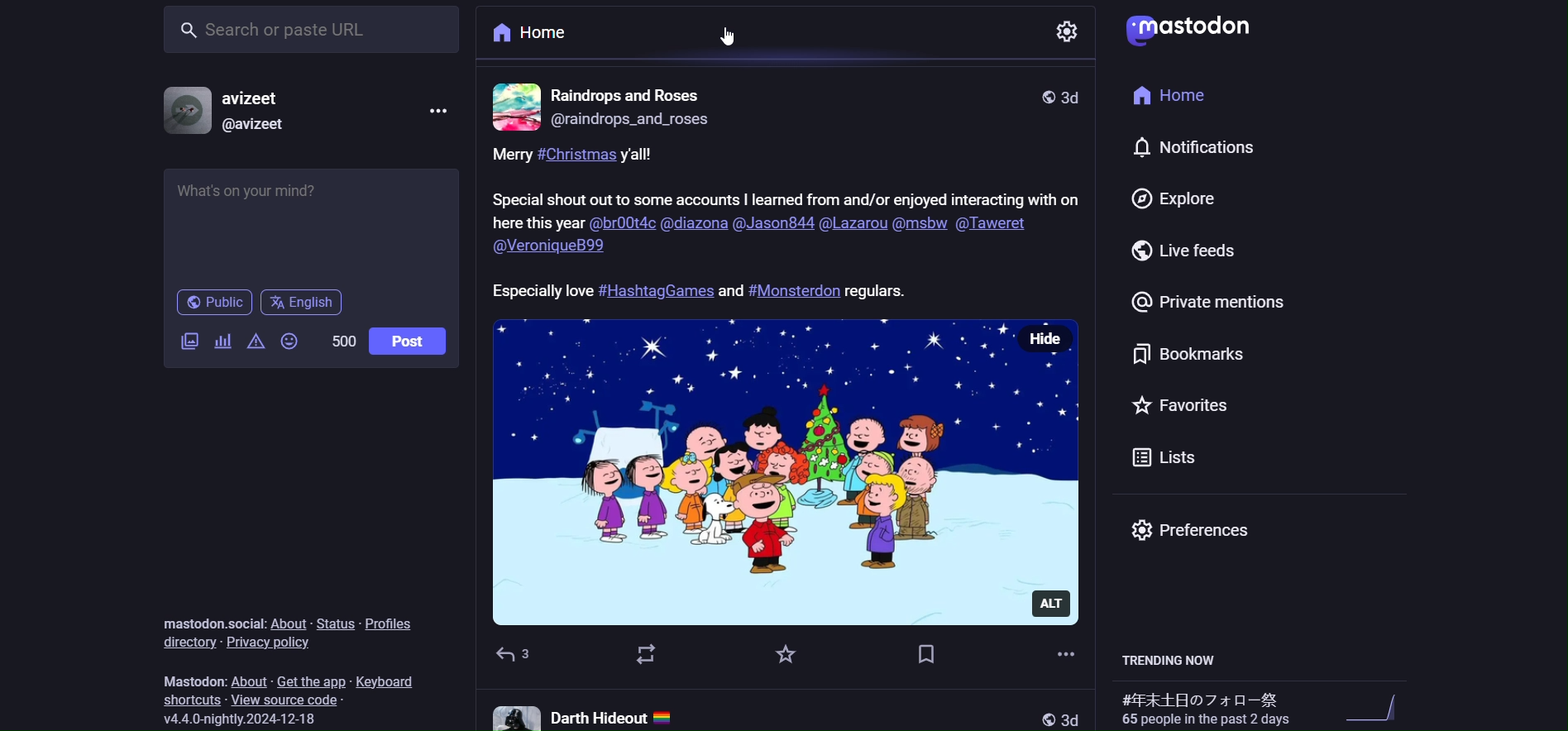 This screenshot has height=731, width=1568. What do you see at coordinates (184, 112) in the screenshot?
I see `profile picture` at bounding box center [184, 112].